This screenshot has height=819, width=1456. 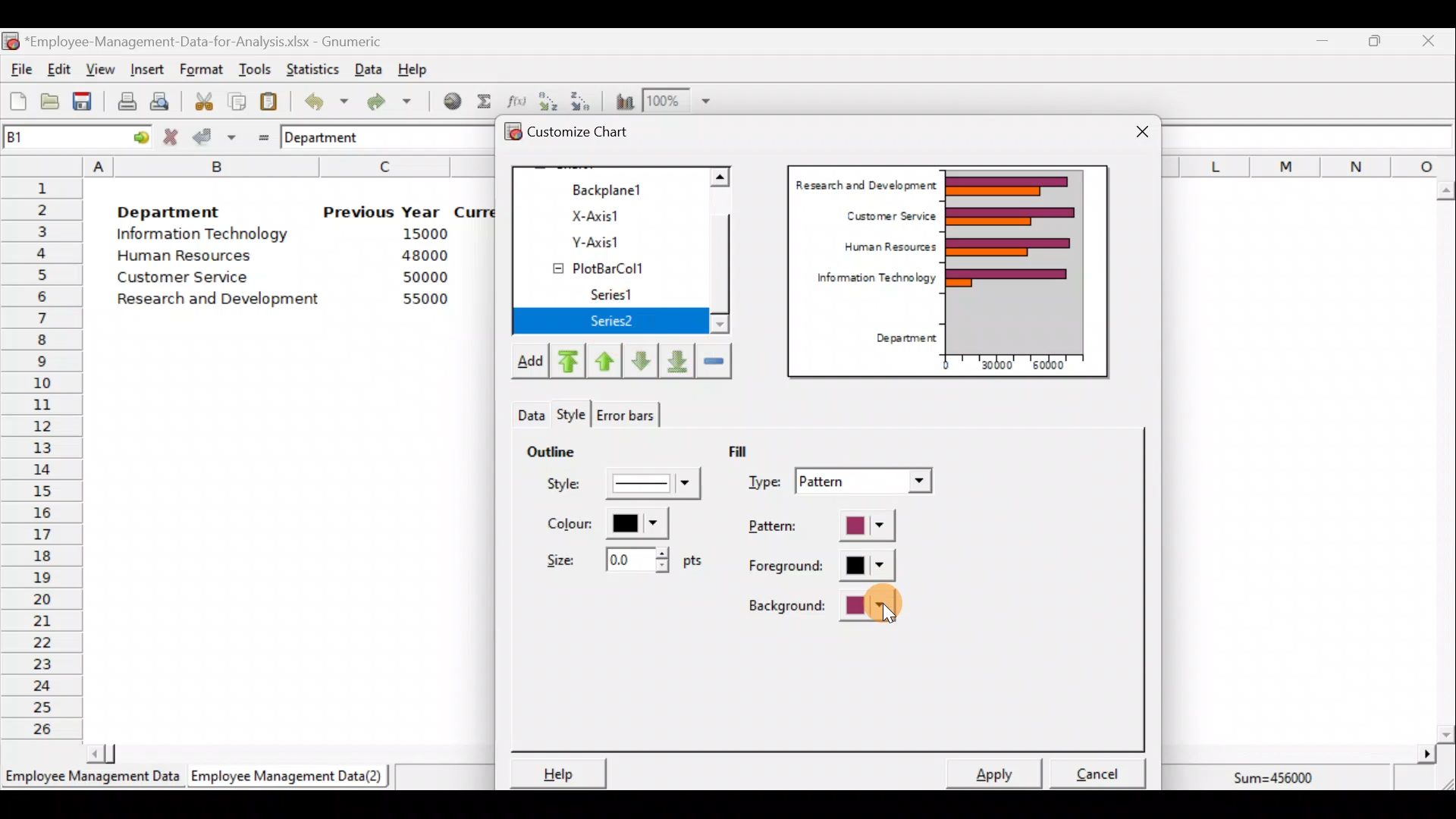 I want to click on Close, so click(x=1427, y=43).